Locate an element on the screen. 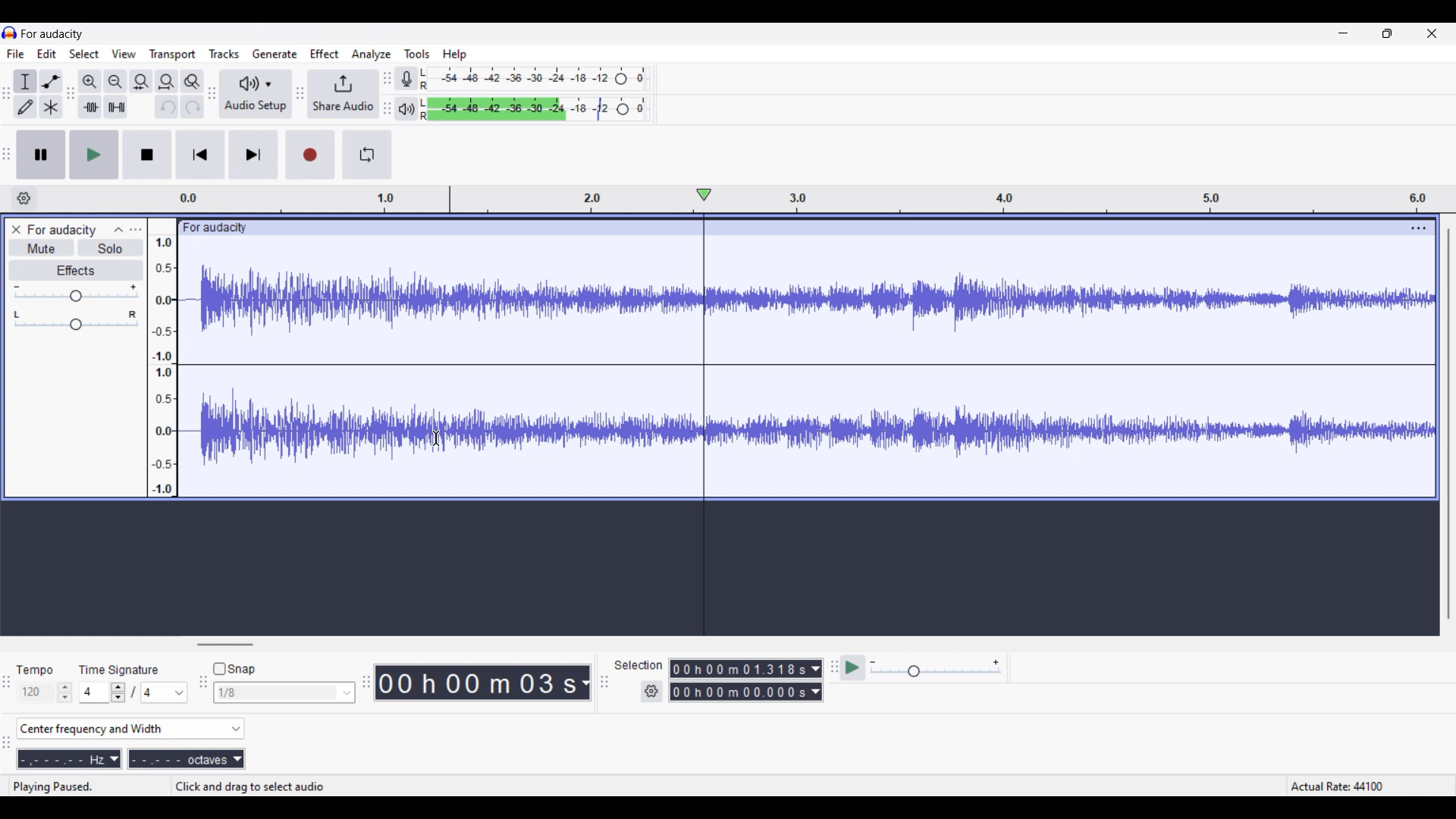  Undo is located at coordinates (167, 107).